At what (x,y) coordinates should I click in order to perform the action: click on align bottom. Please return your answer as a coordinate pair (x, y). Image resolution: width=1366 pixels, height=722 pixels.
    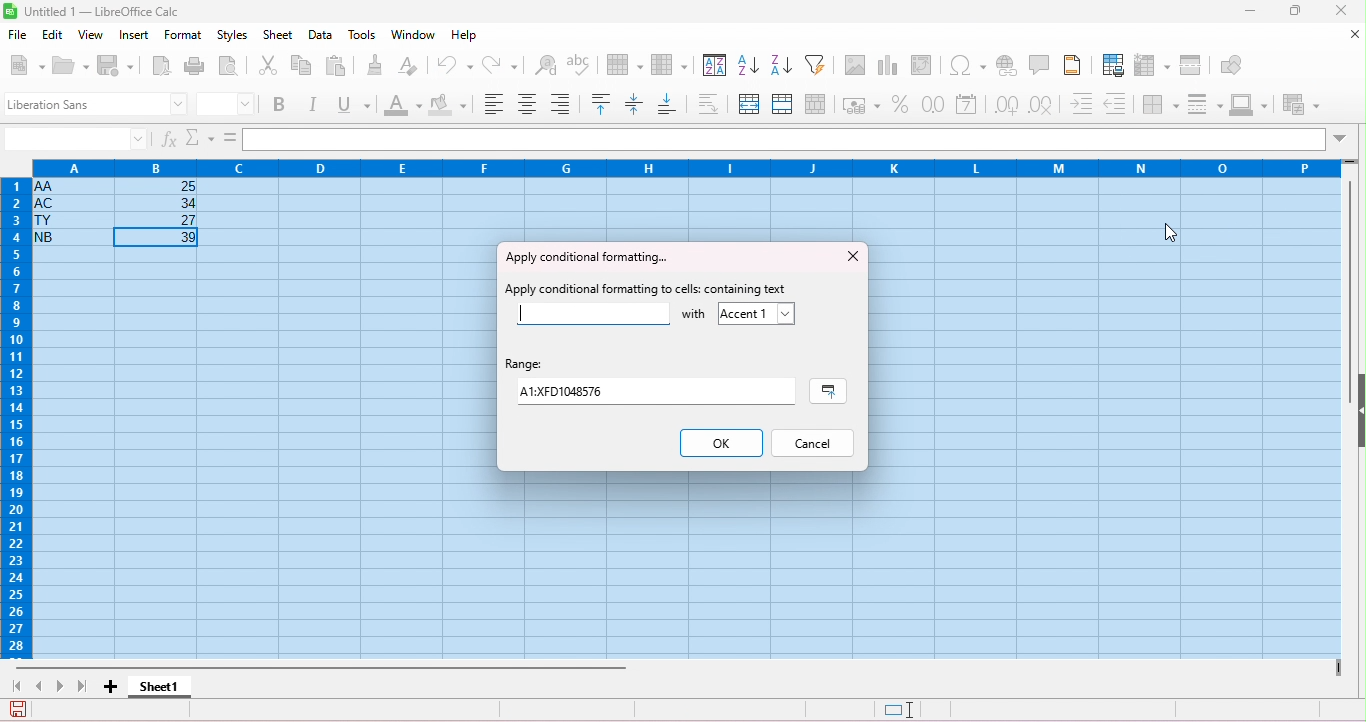
    Looking at the image, I should click on (560, 103).